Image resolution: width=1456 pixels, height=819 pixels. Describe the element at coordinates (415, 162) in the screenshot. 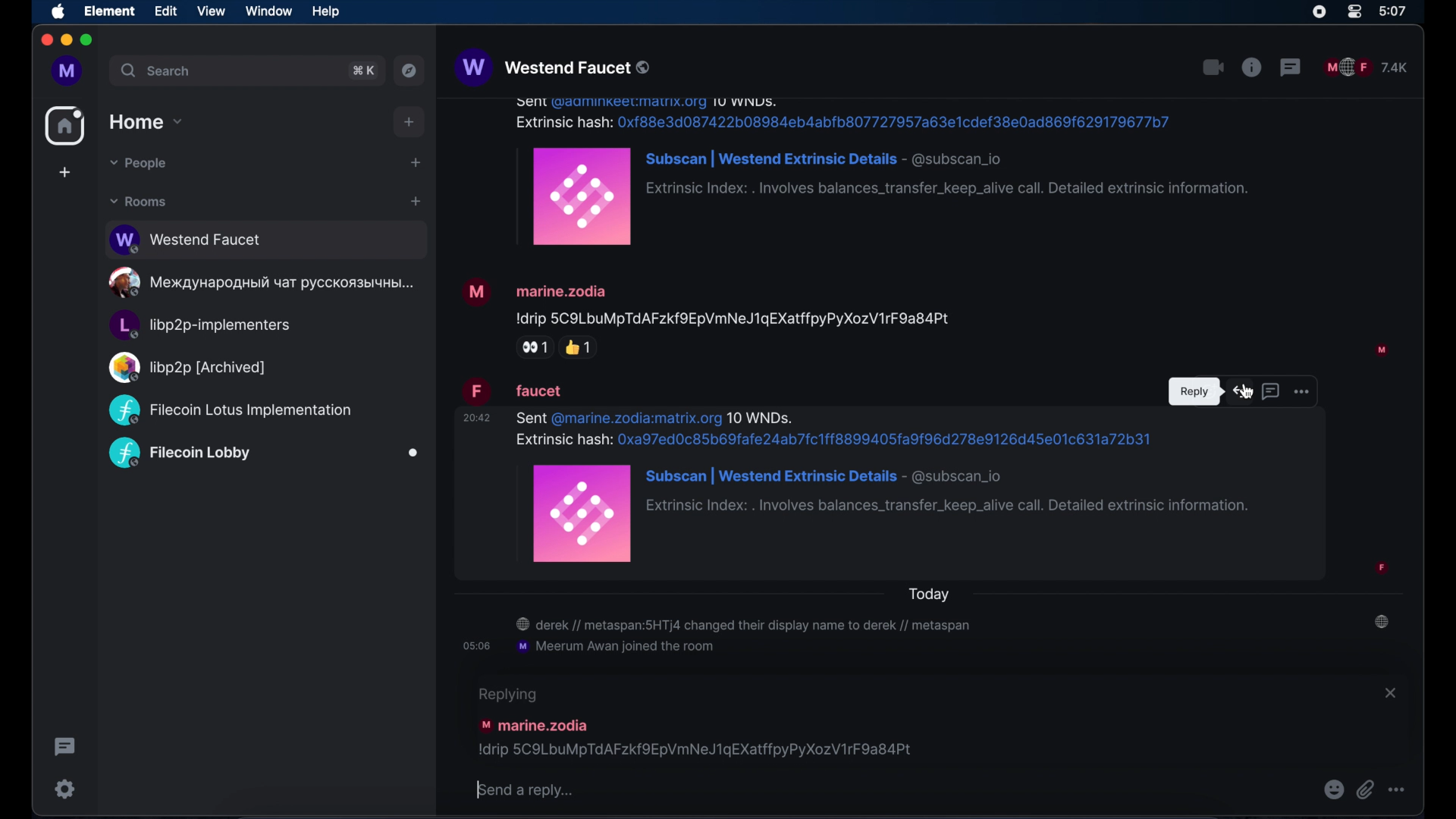

I see `start chat` at that location.